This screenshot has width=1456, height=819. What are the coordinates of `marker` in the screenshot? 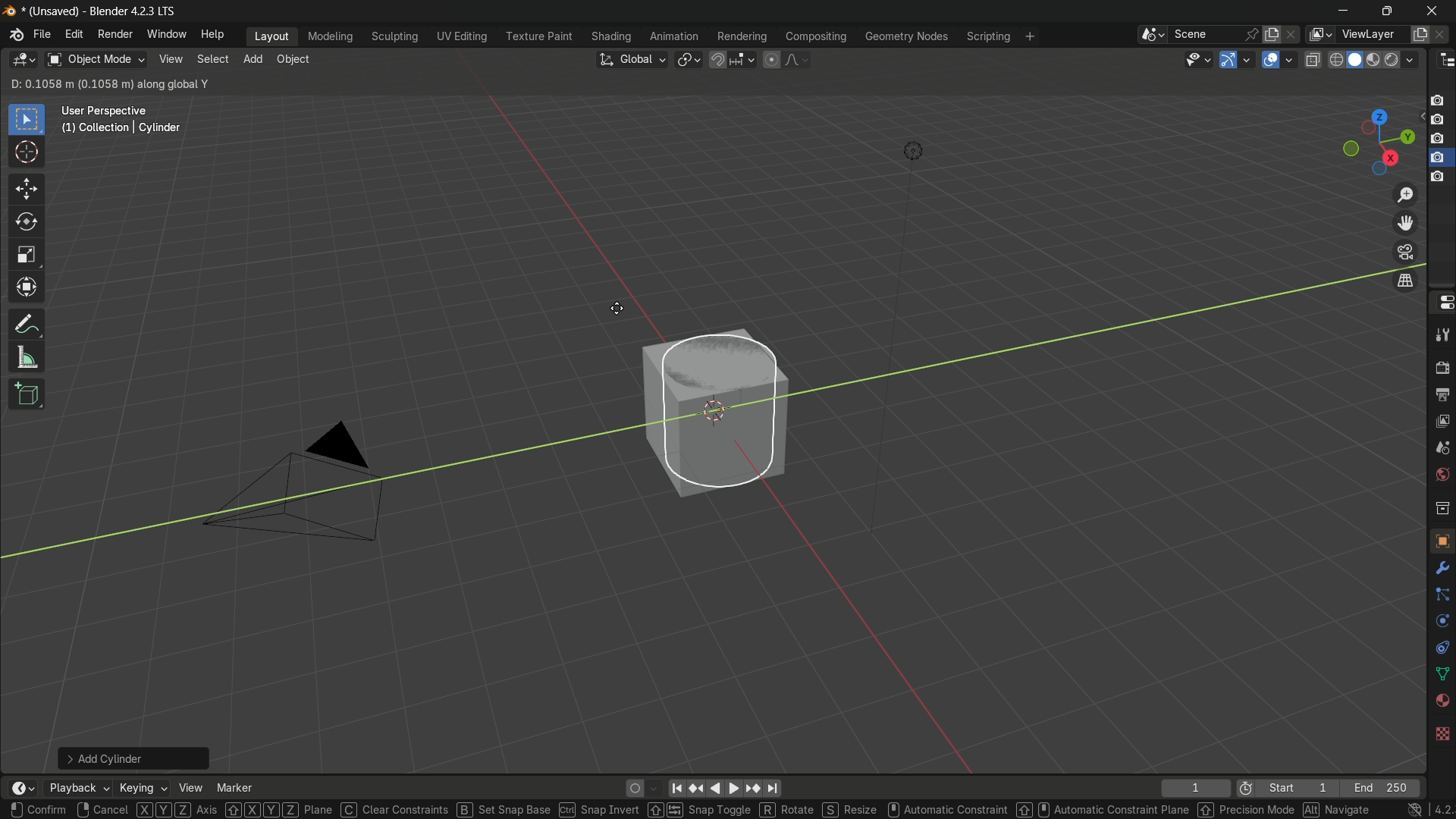 It's located at (236, 787).